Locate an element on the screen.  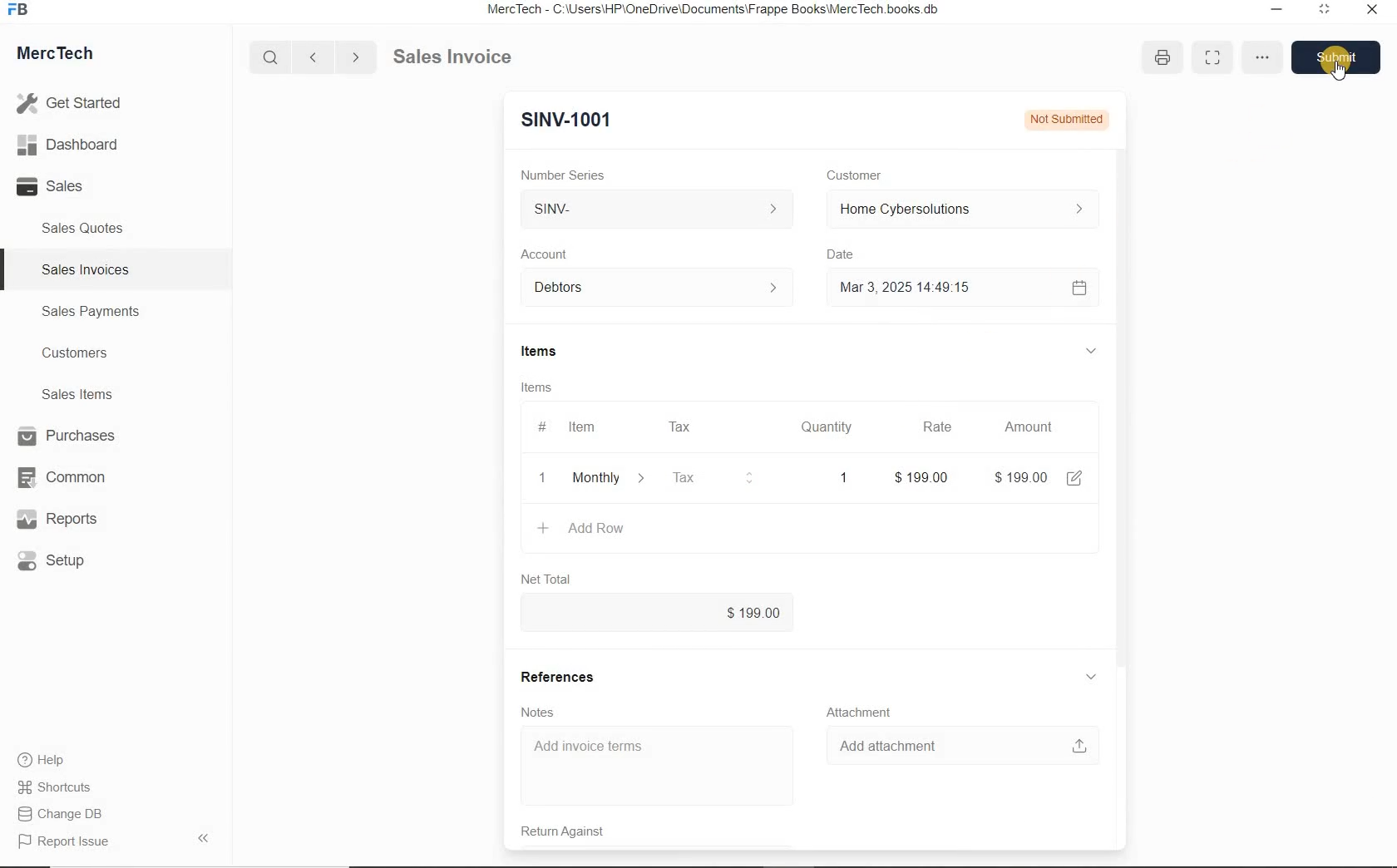
$0.00 is located at coordinates (657, 614).